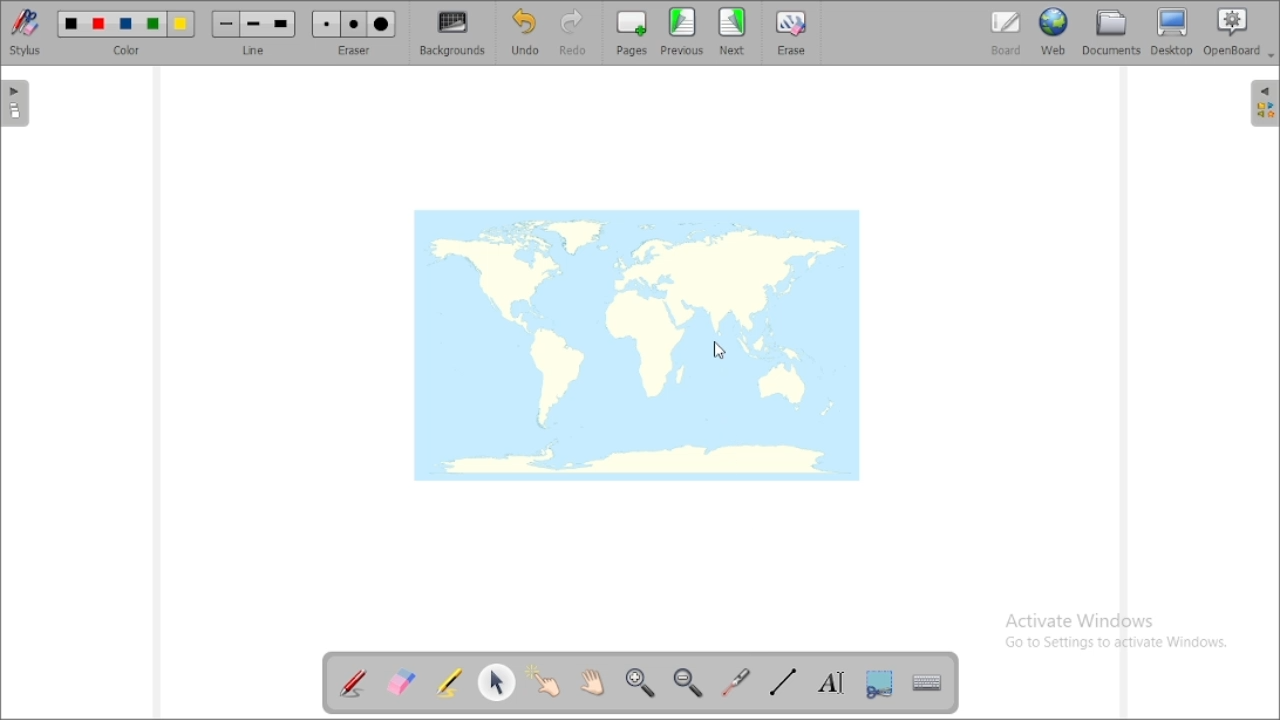  Describe the element at coordinates (1111, 33) in the screenshot. I see `documents` at that location.